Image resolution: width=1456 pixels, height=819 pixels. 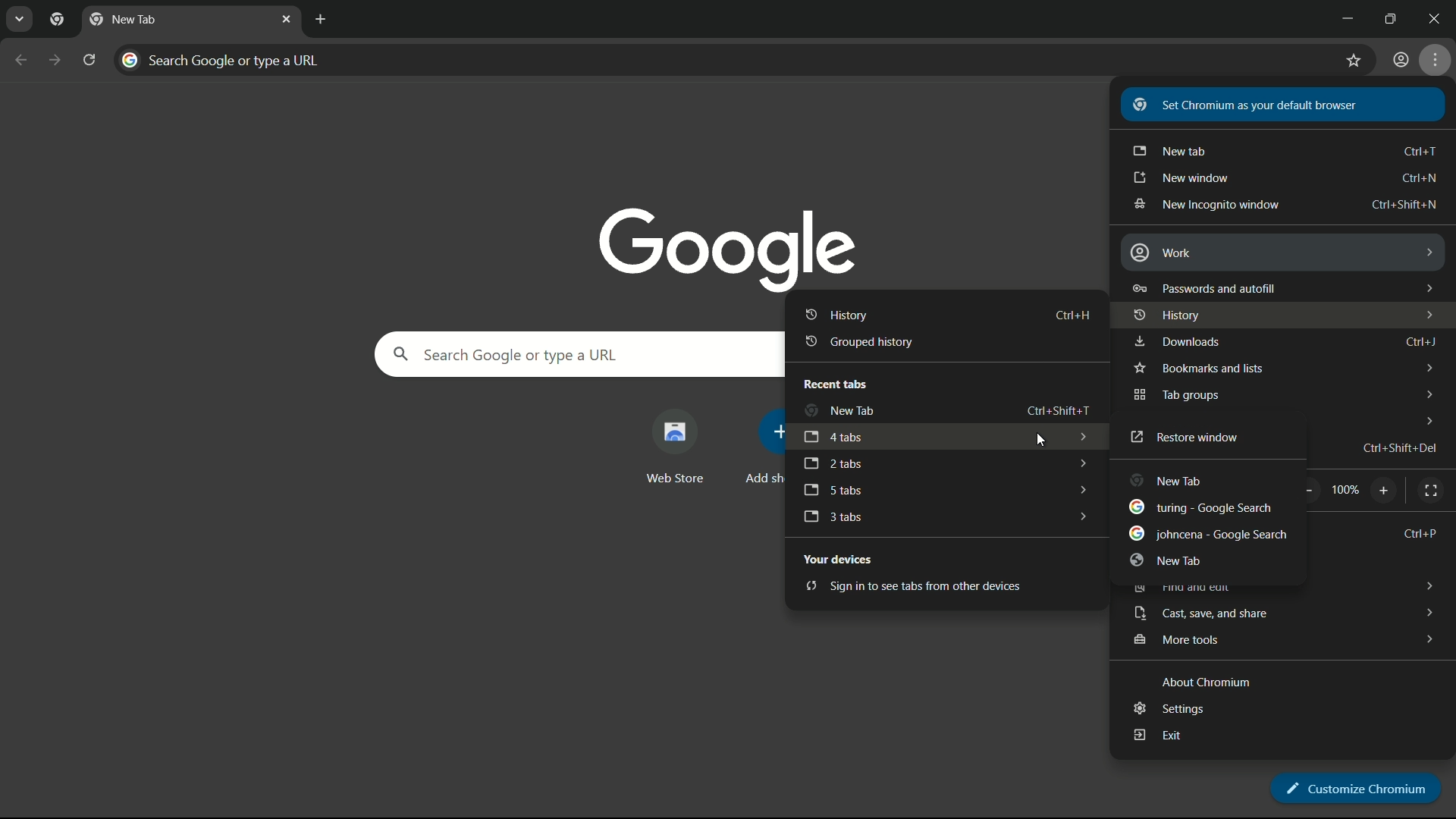 I want to click on shortcut keys, so click(x=1420, y=151).